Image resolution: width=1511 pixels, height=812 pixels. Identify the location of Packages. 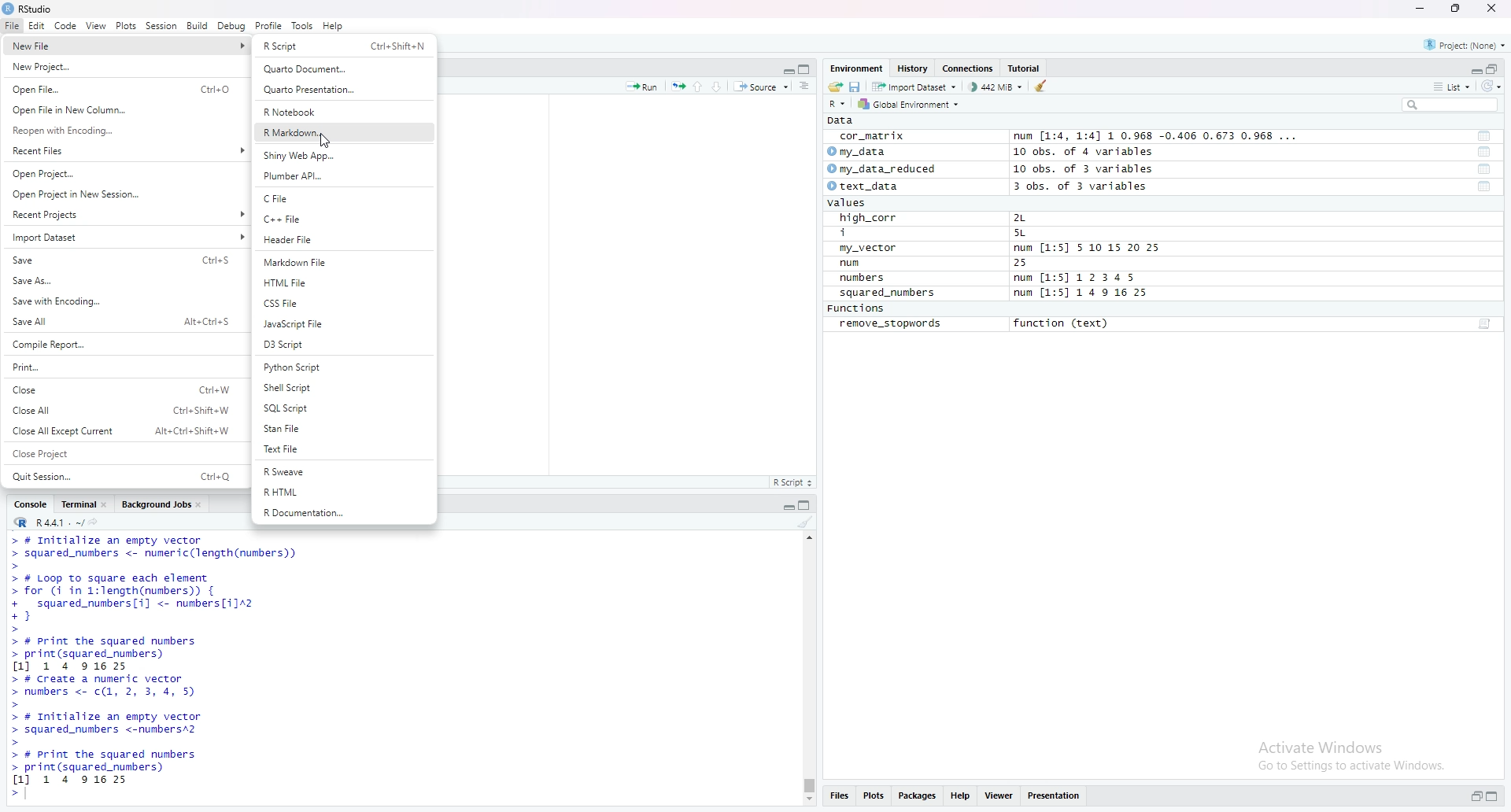
(920, 796).